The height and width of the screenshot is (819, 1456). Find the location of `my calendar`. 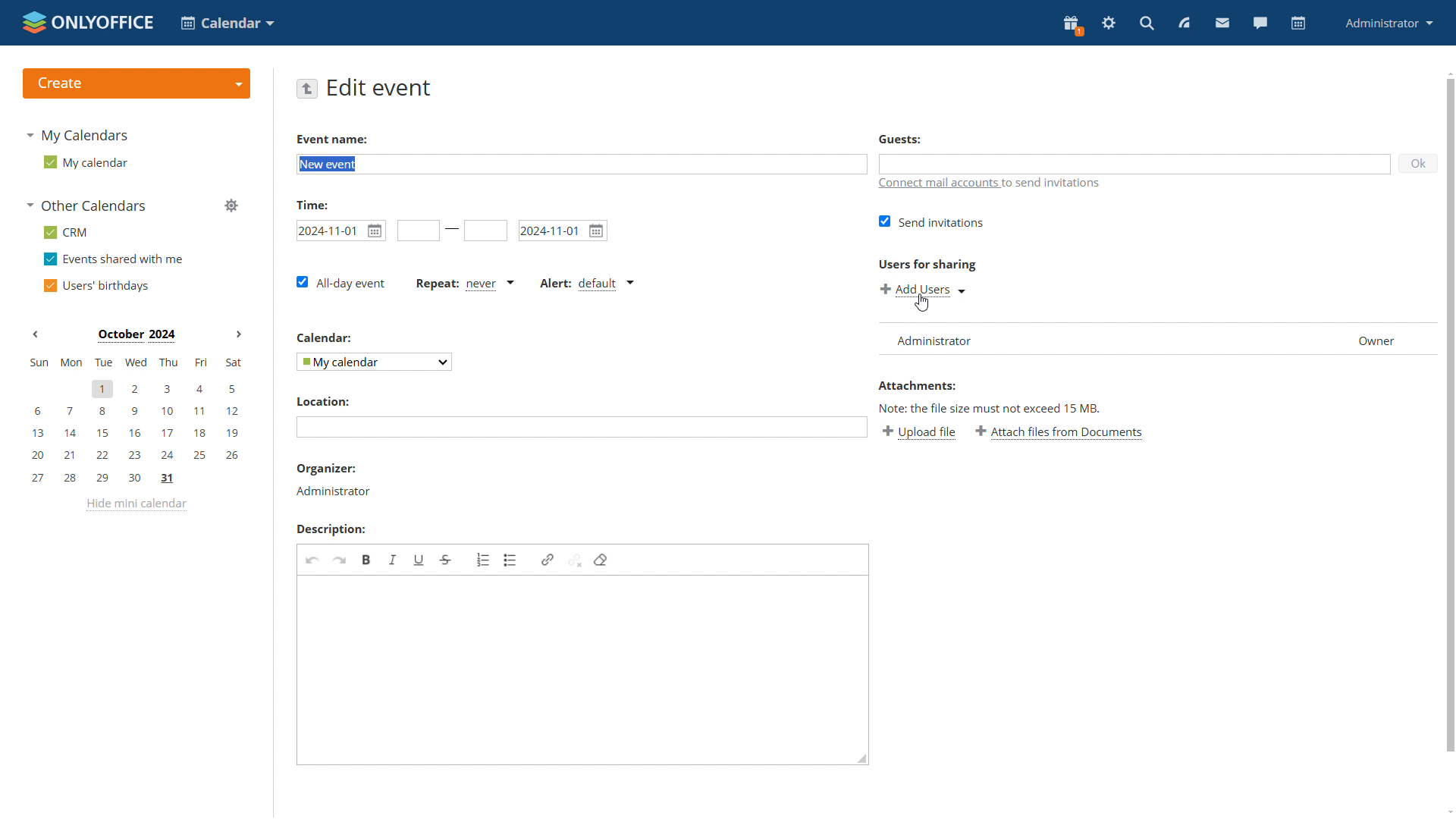

my calendar is located at coordinates (86, 163).